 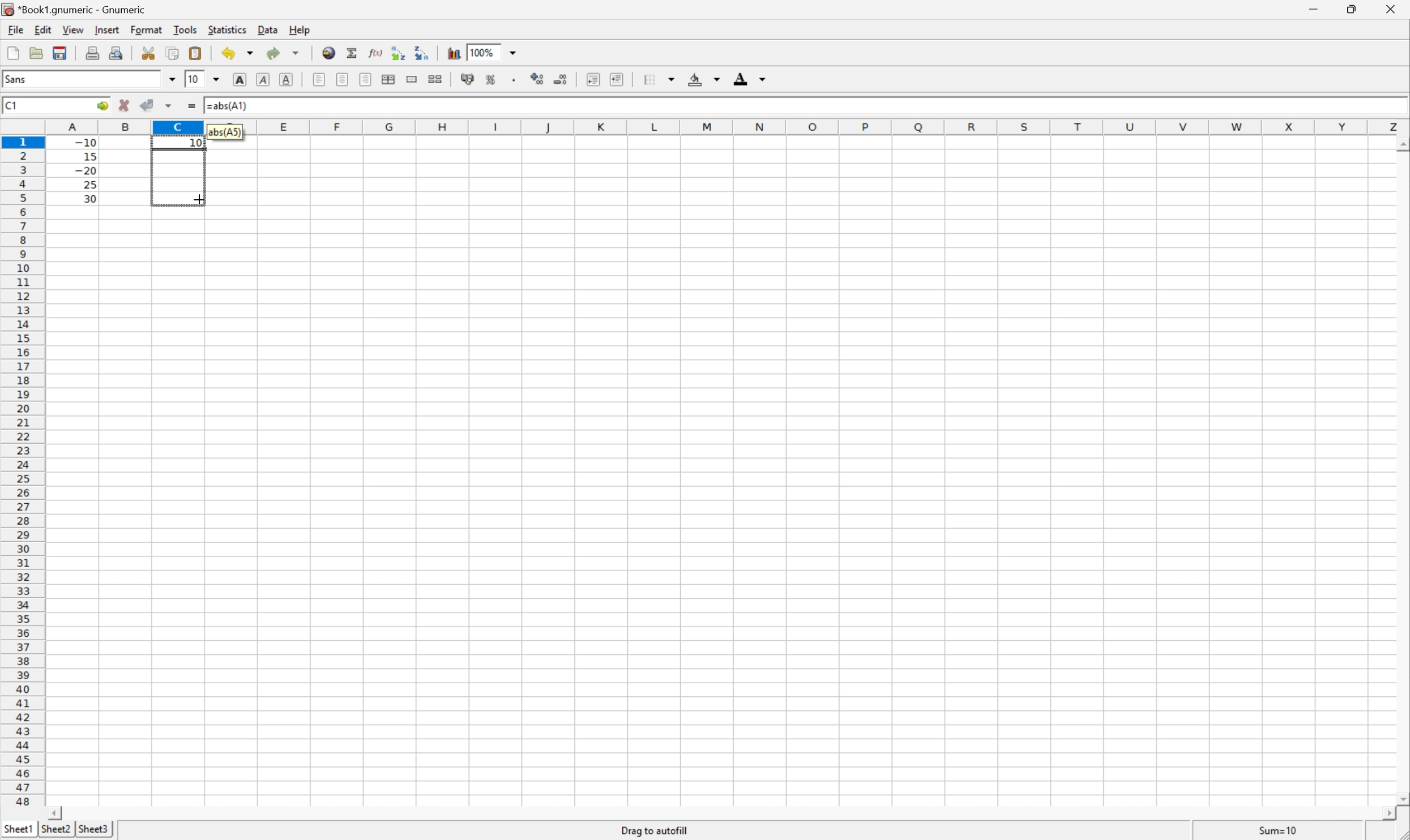 What do you see at coordinates (1349, 10) in the screenshot?
I see `Restore down` at bounding box center [1349, 10].